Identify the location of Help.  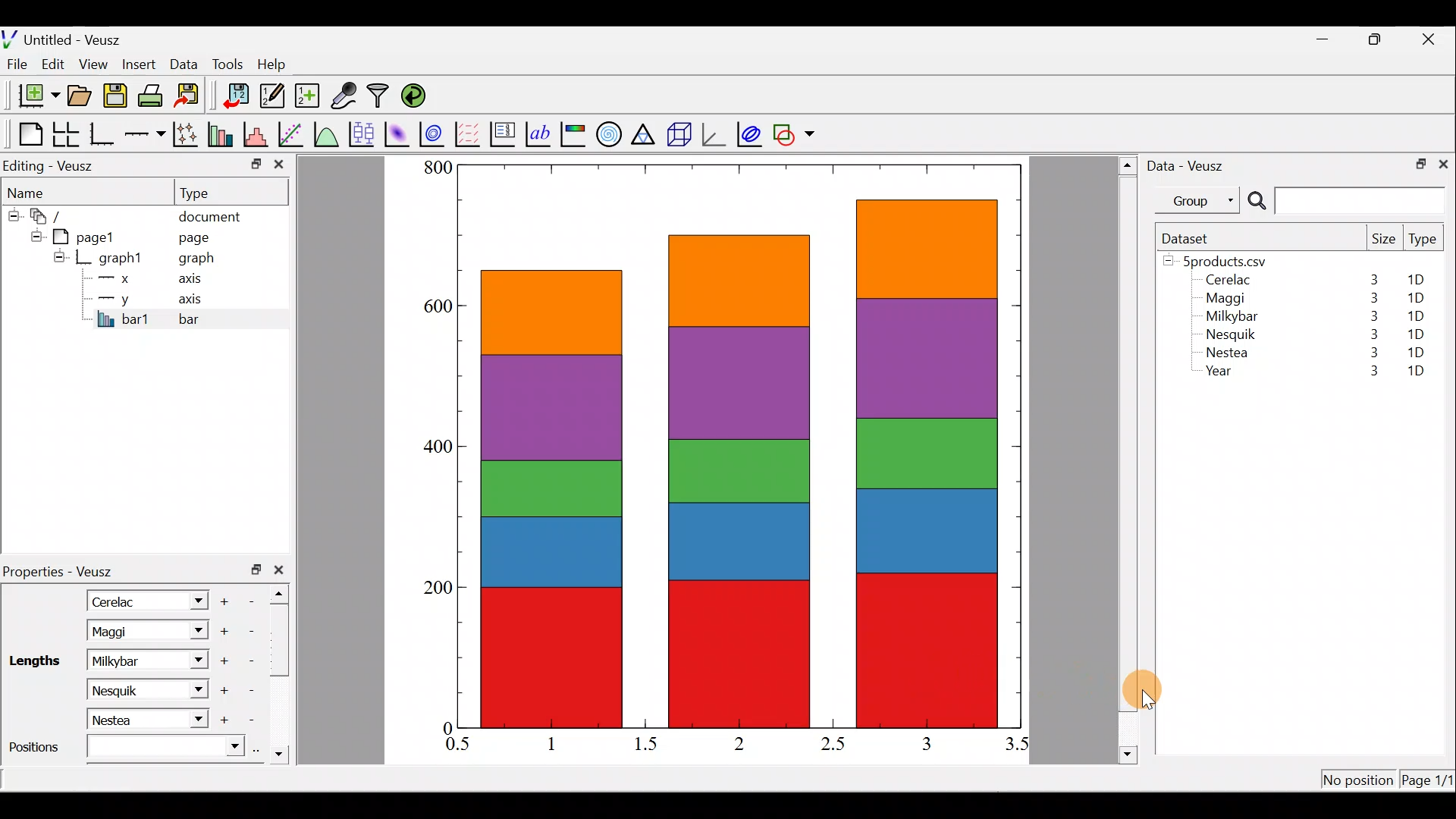
(281, 64).